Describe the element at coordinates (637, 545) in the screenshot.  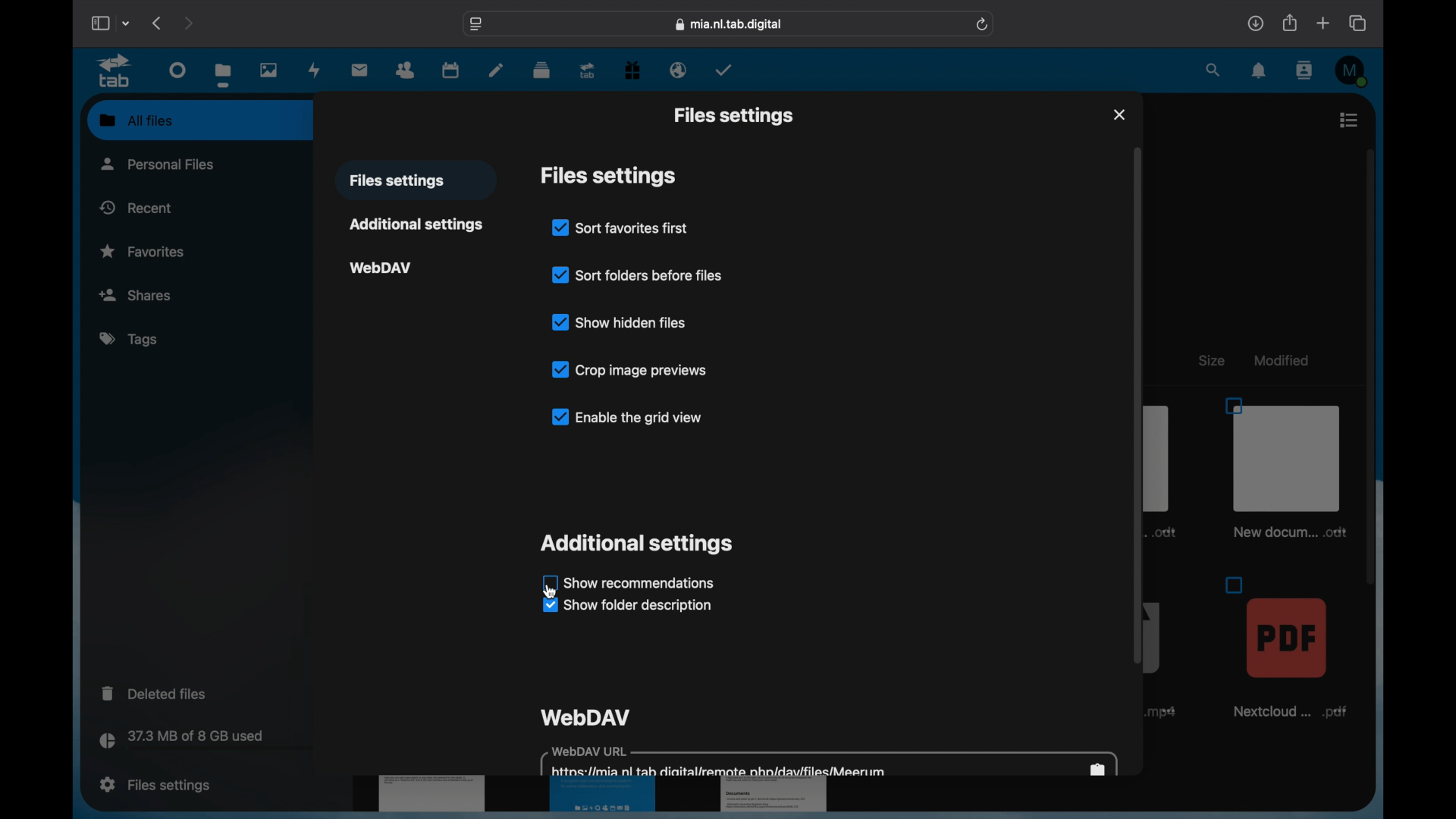
I see `additional settings` at that location.